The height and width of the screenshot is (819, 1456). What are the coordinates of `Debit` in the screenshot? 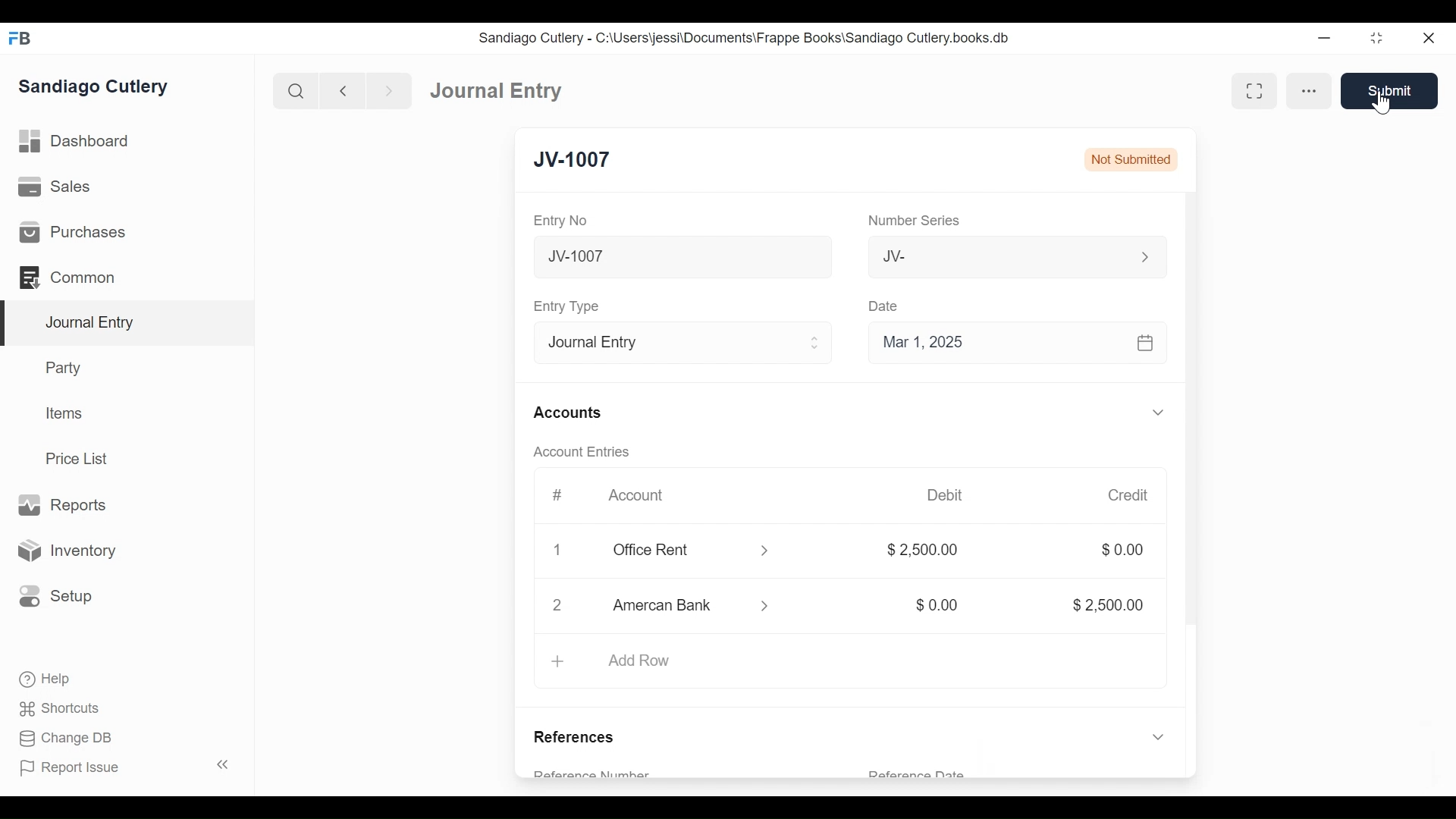 It's located at (948, 495).